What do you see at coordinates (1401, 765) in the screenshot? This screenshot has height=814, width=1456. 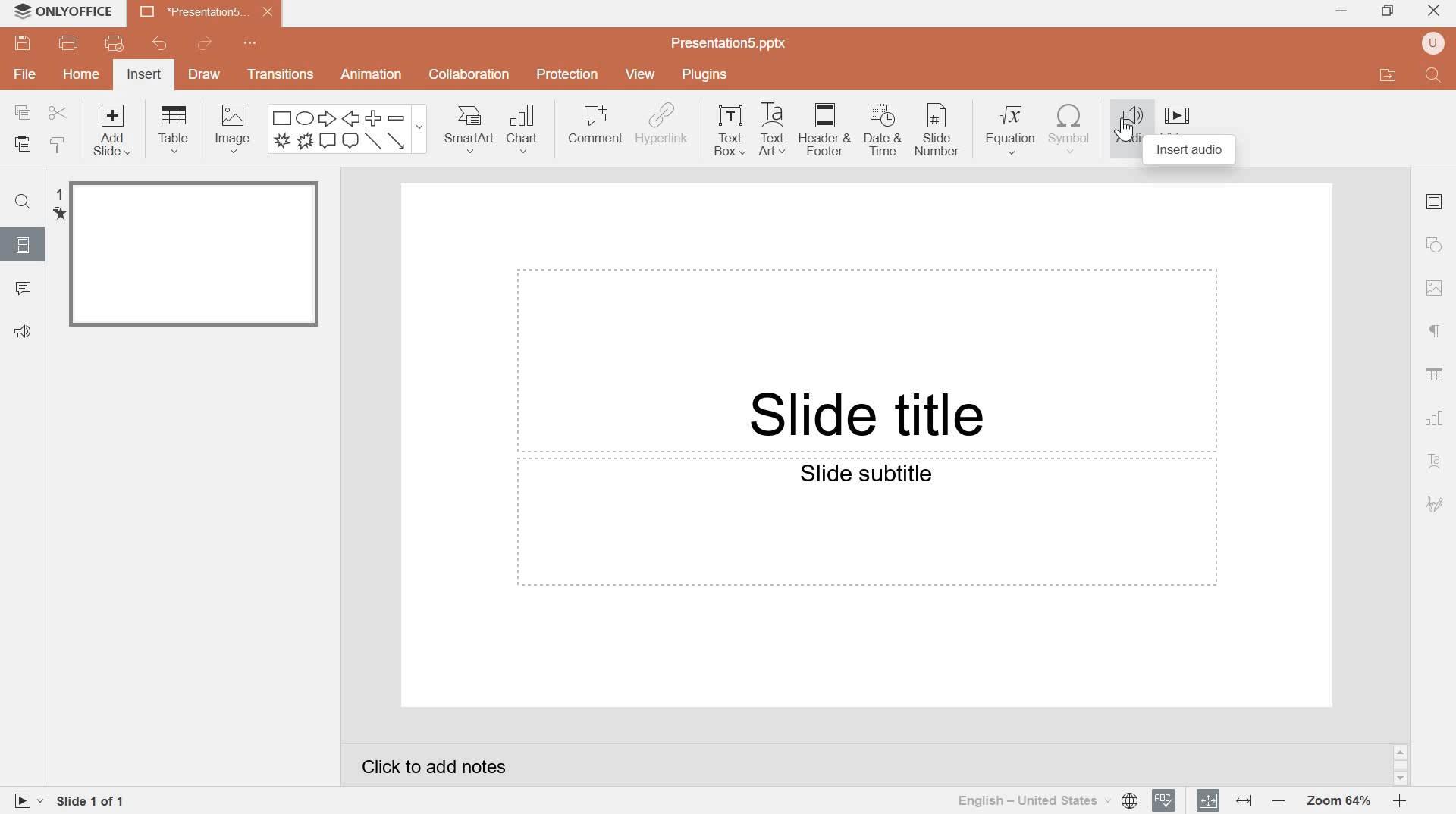 I see `scrollbar` at bounding box center [1401, 765].